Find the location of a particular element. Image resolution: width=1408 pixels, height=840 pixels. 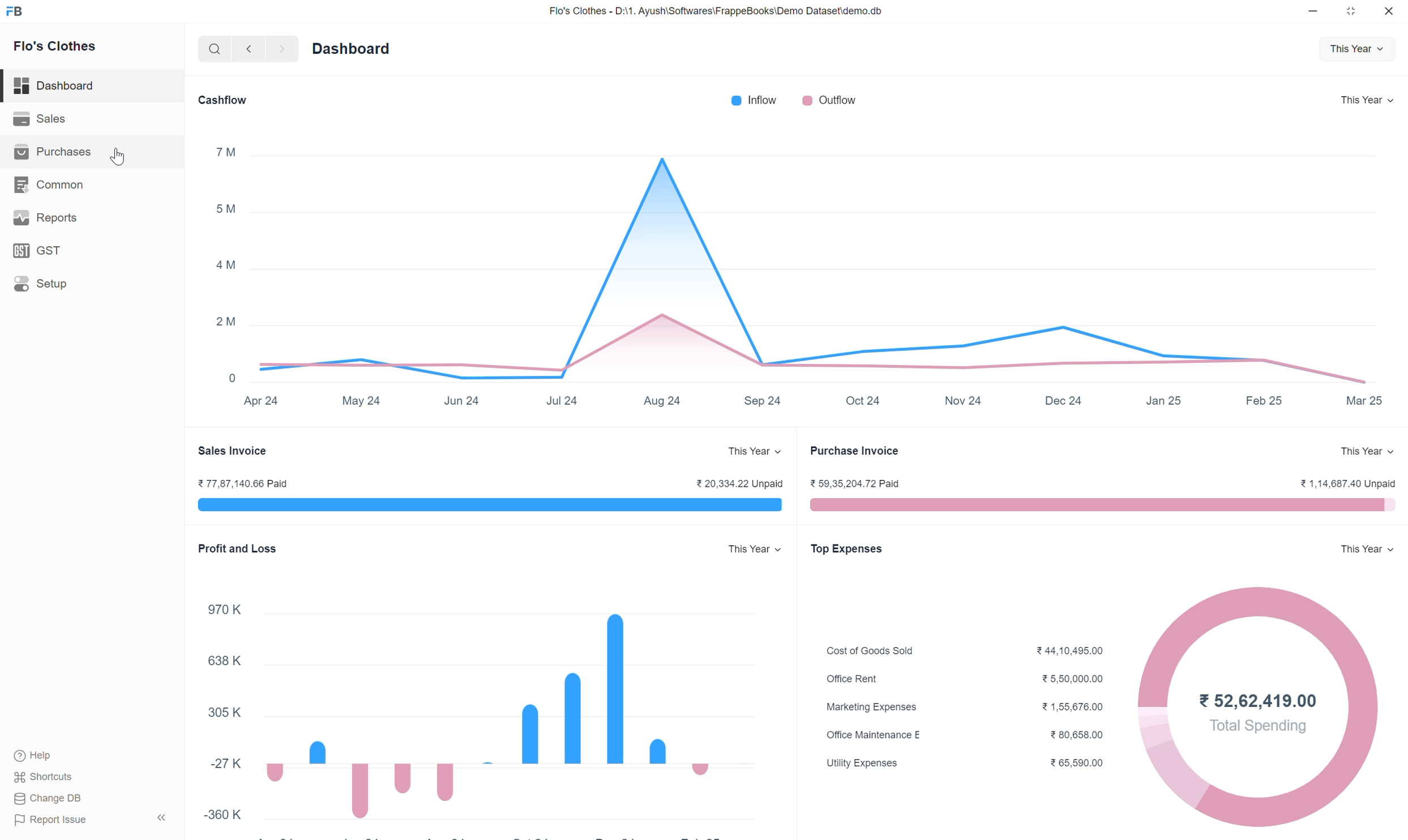

Dashboard is located at coordinates (352, 49).